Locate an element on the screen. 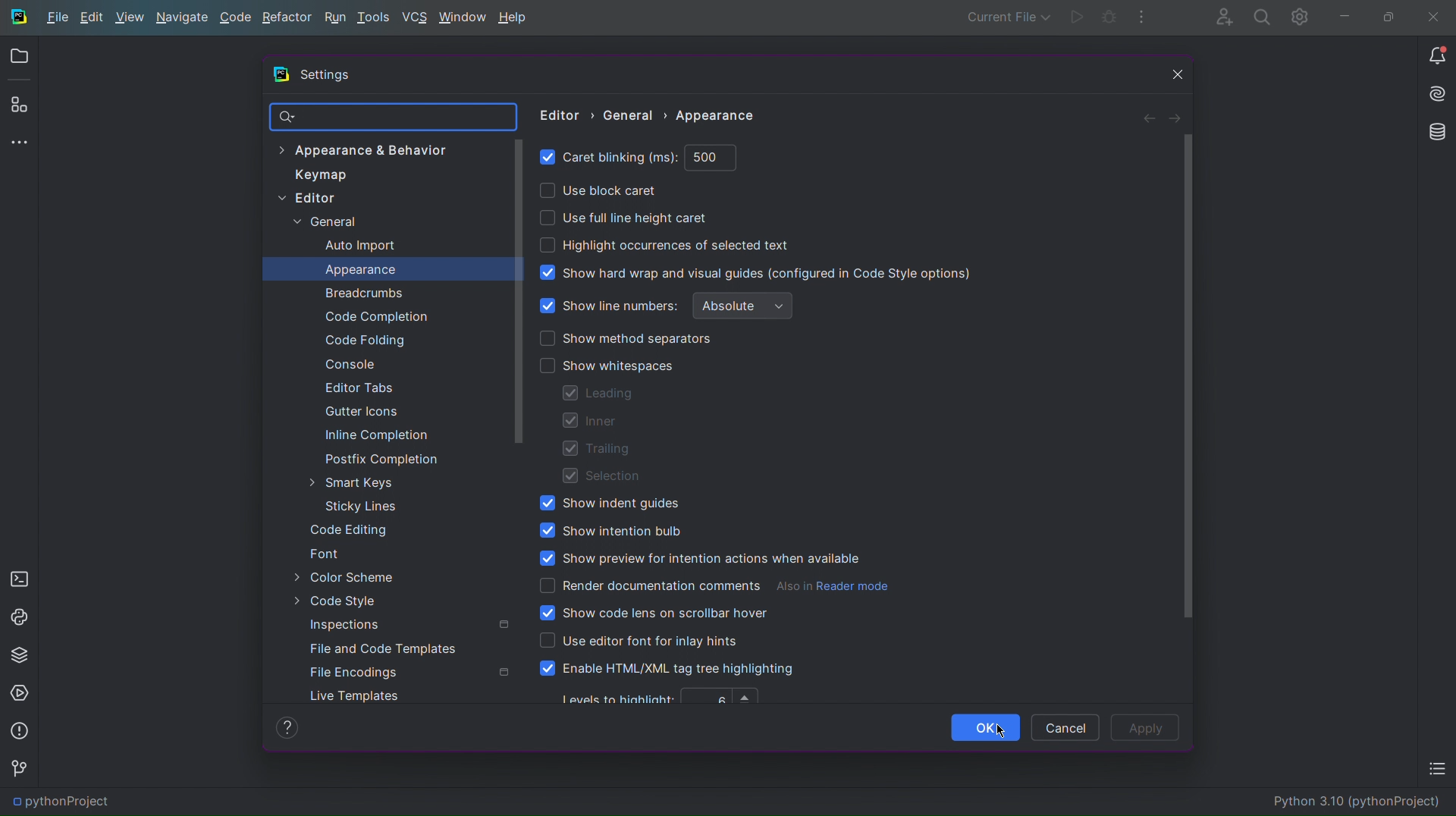  TODO is located at coordinates (1436, 771).